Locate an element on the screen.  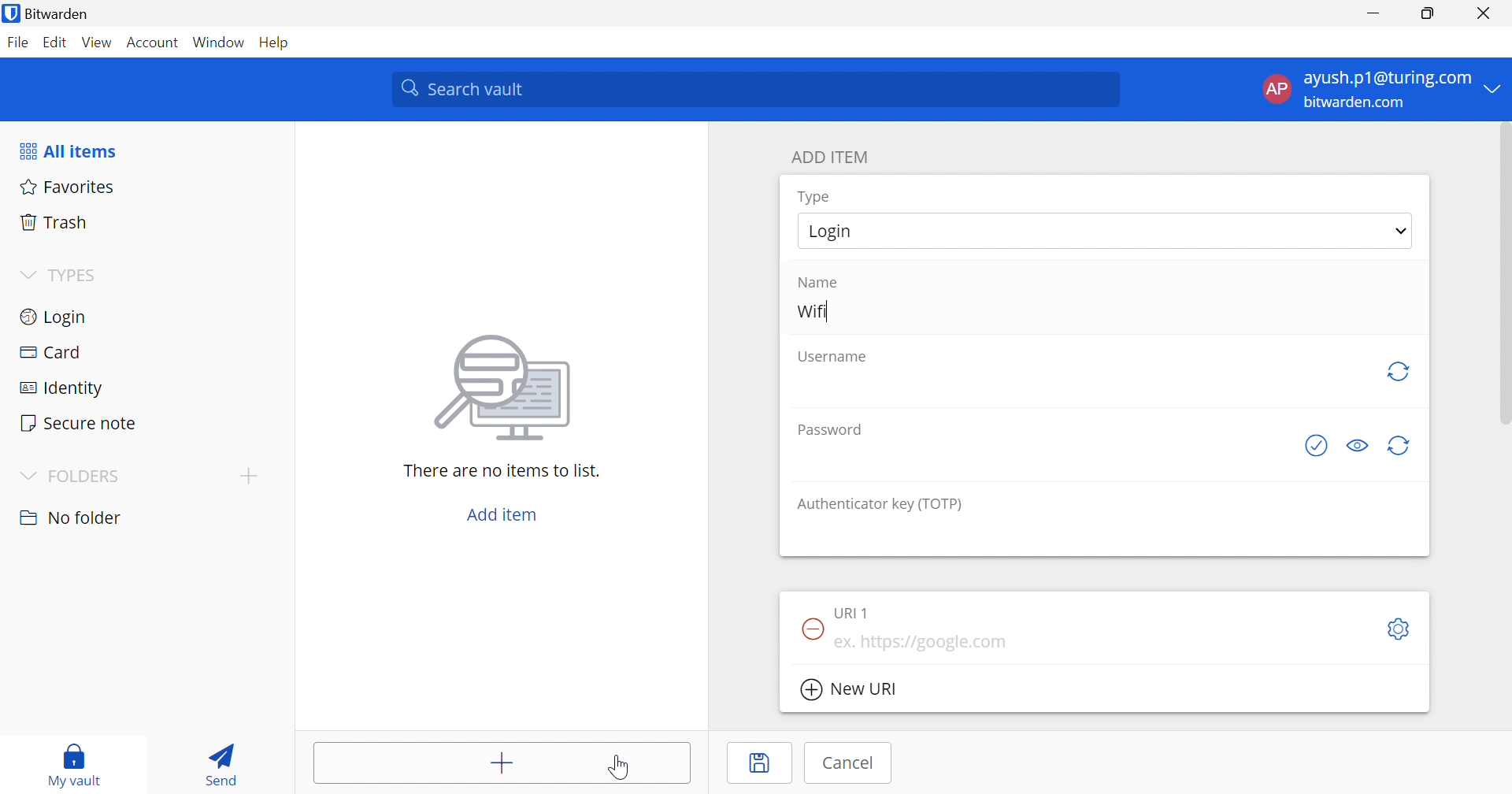
Close is located at coordinates (1487, 13).